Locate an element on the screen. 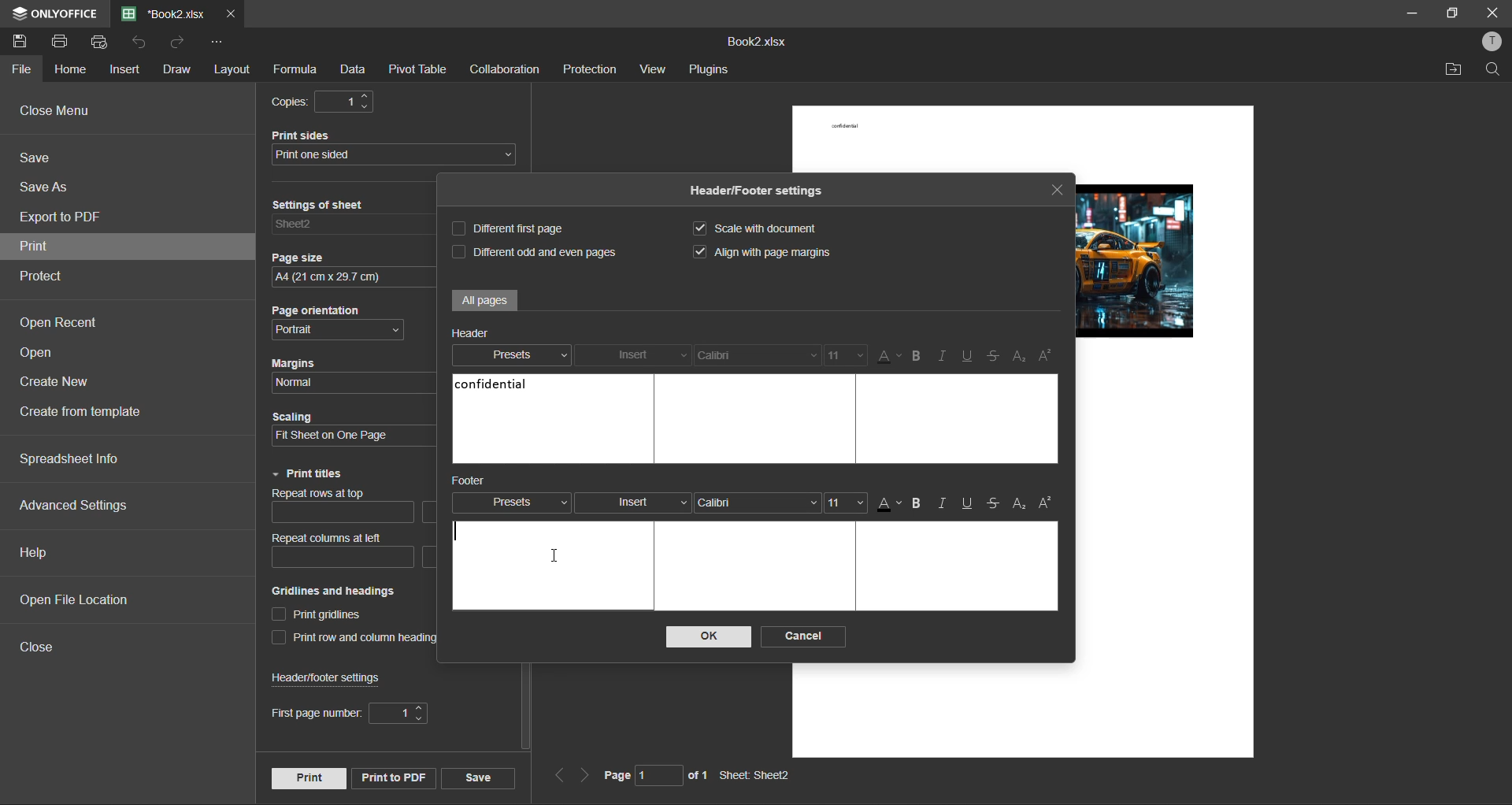 The width and height of the screenshot is (1512, 805). print is located at coordinates (64, 40).